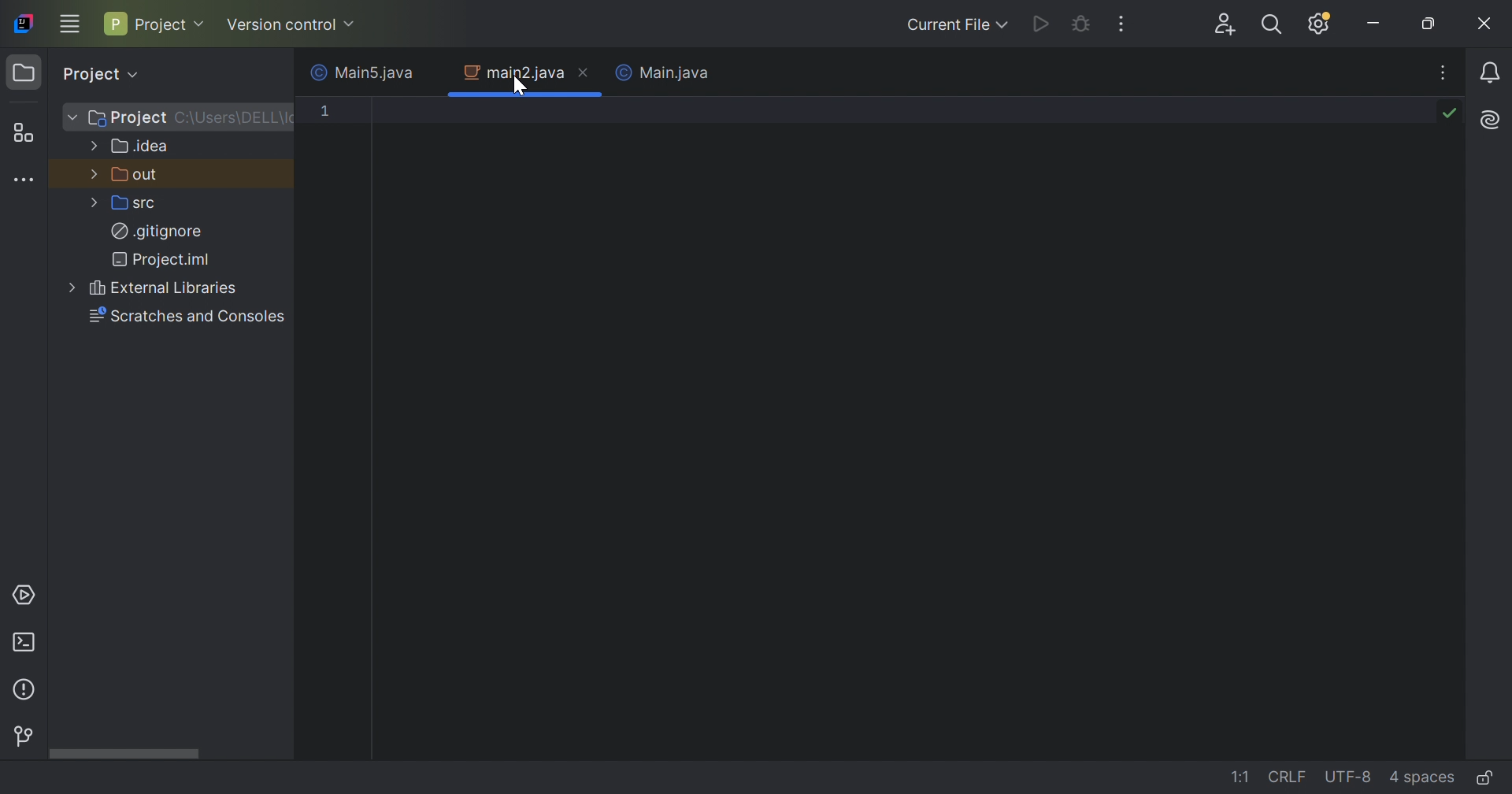  Describe the element at coordinates (1080, 25) in the screenshot. I see `Debug` at that location.